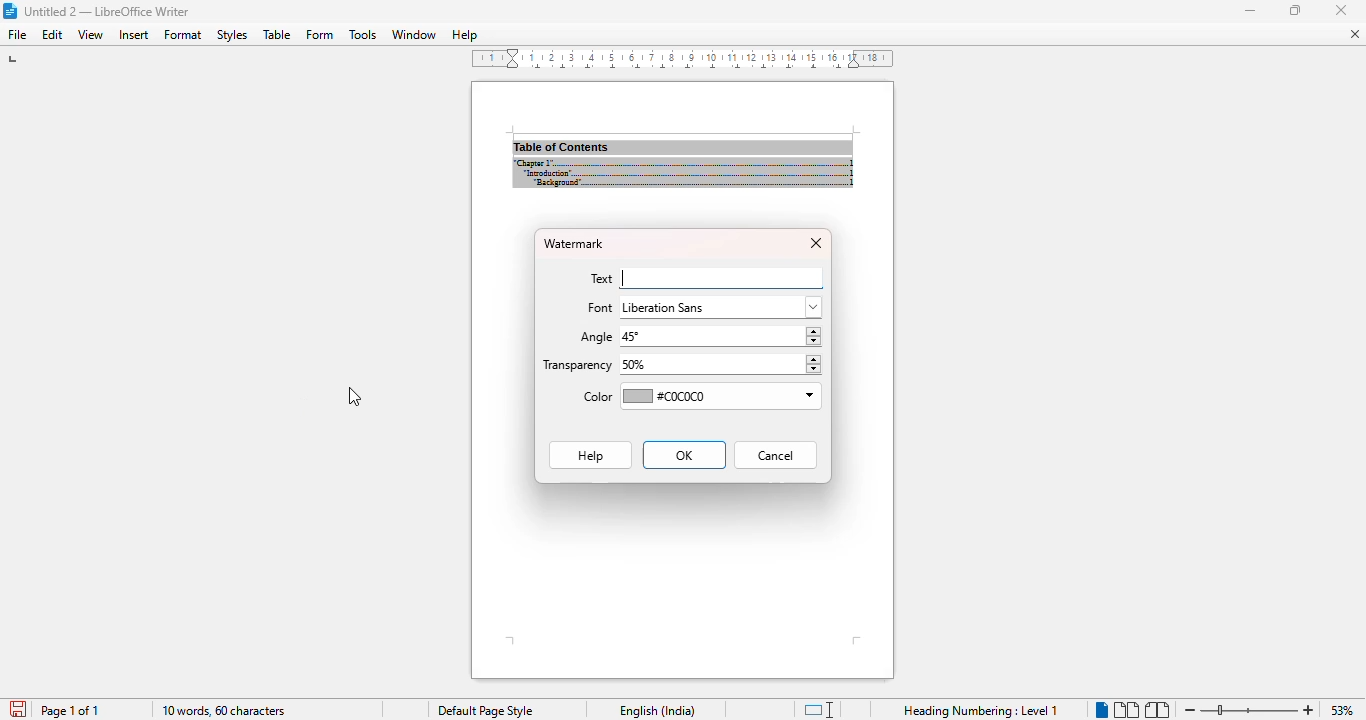  What do you see at coordinates (1190, 709) in the screenshot?
I see `zoom out` at bounding box center [1190, 709].